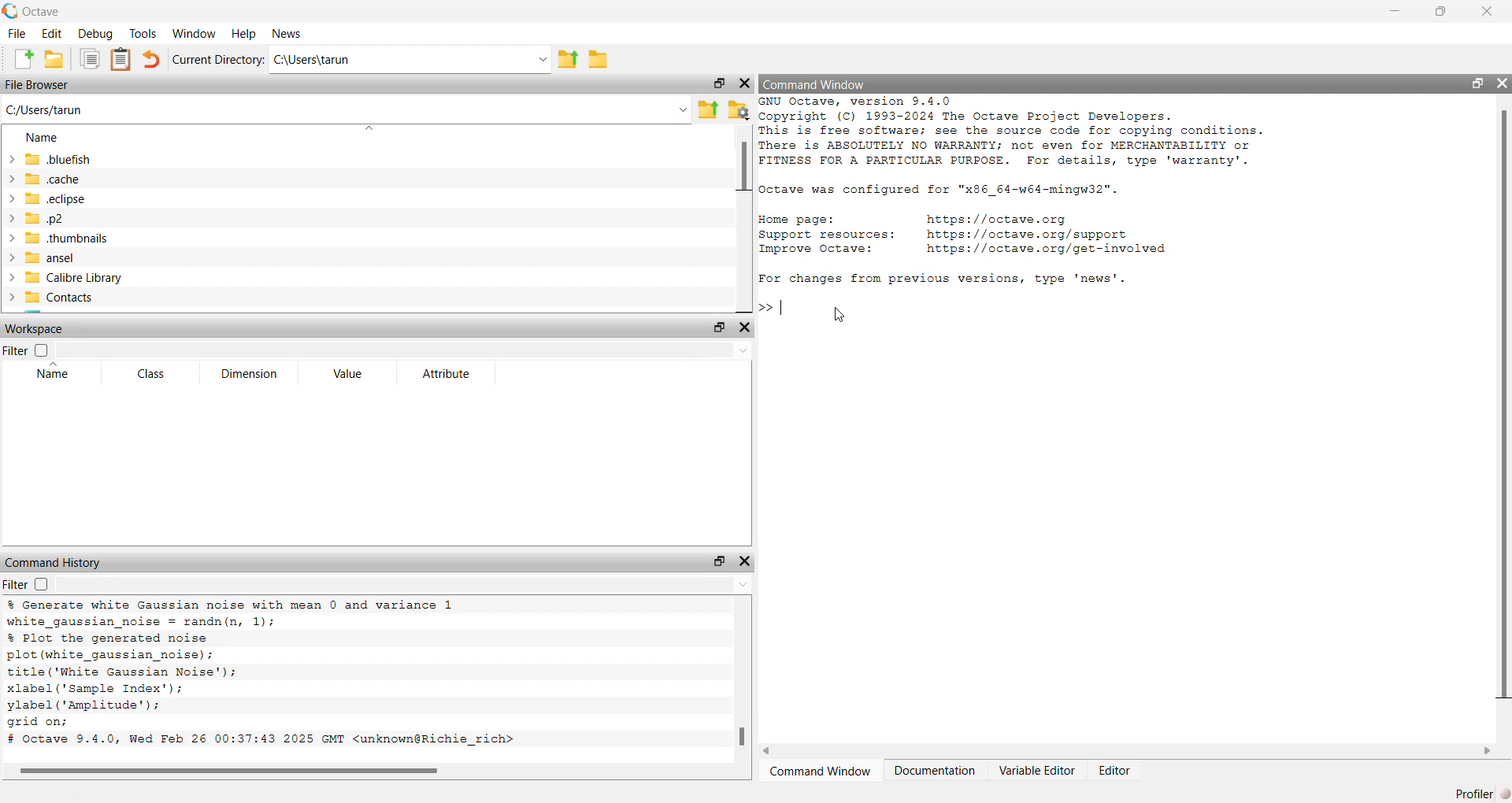 The width and height of the screenshot is (1512, 803). What do you see at coordinates (573, 57) in the screenshot?
I see `parent directory` at bounding box center [573, 57].